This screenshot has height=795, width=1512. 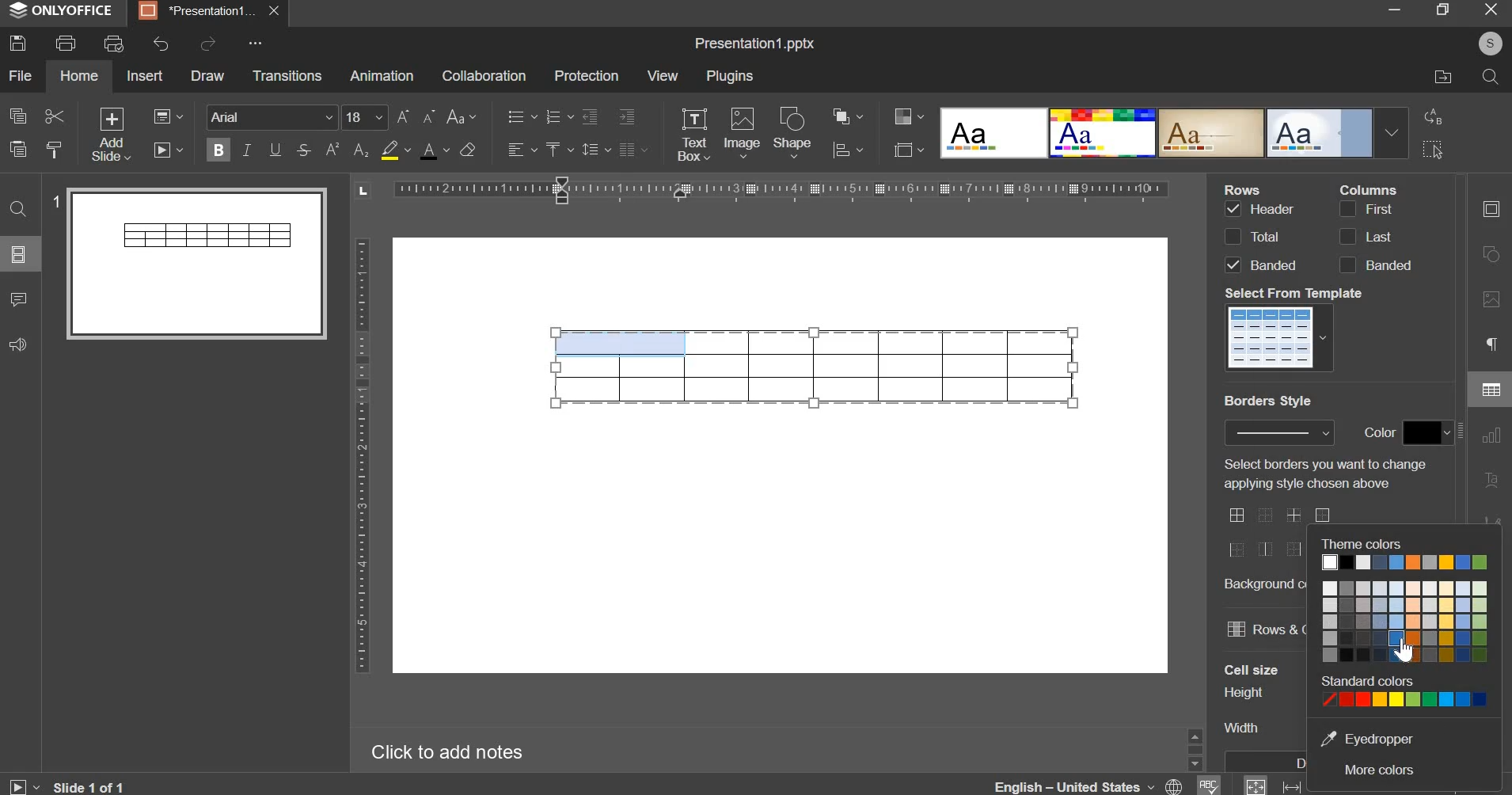 I want to click on border color, so click(x=1427, y=433).